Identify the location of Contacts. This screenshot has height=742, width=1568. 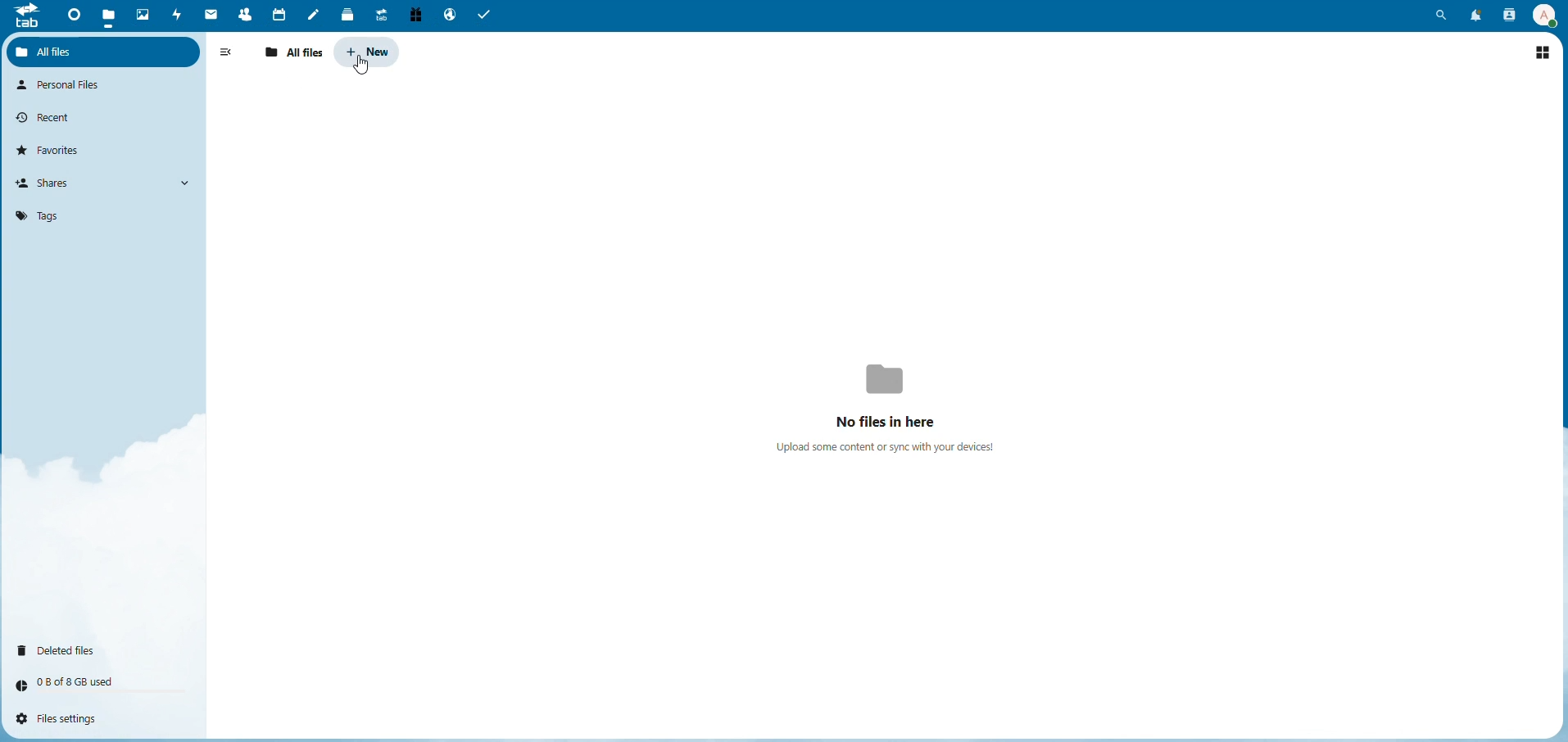
(243, 14).